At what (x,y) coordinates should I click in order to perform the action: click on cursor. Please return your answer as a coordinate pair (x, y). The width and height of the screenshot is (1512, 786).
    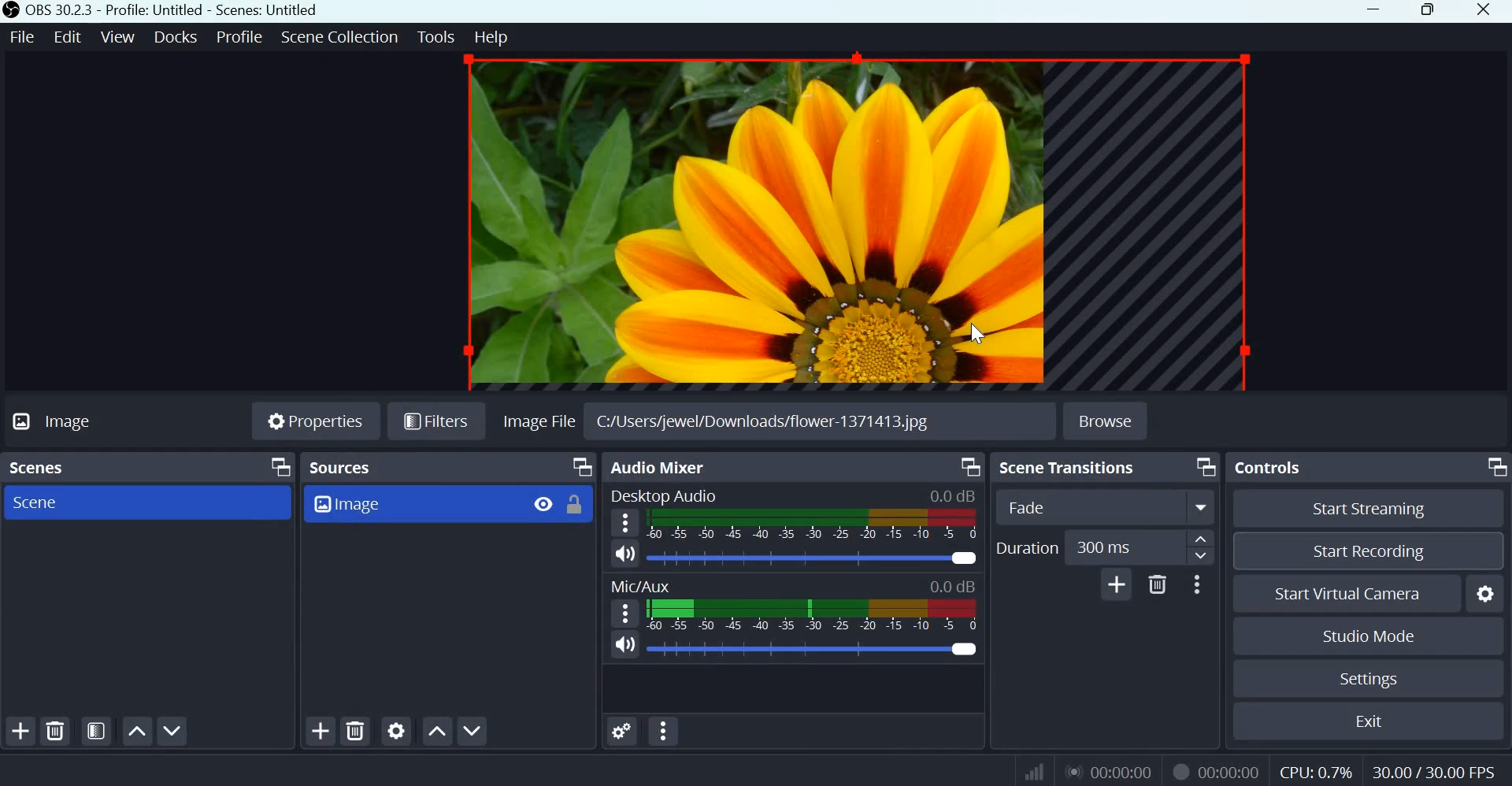
    Looking at the image, I should click on (972, 337).